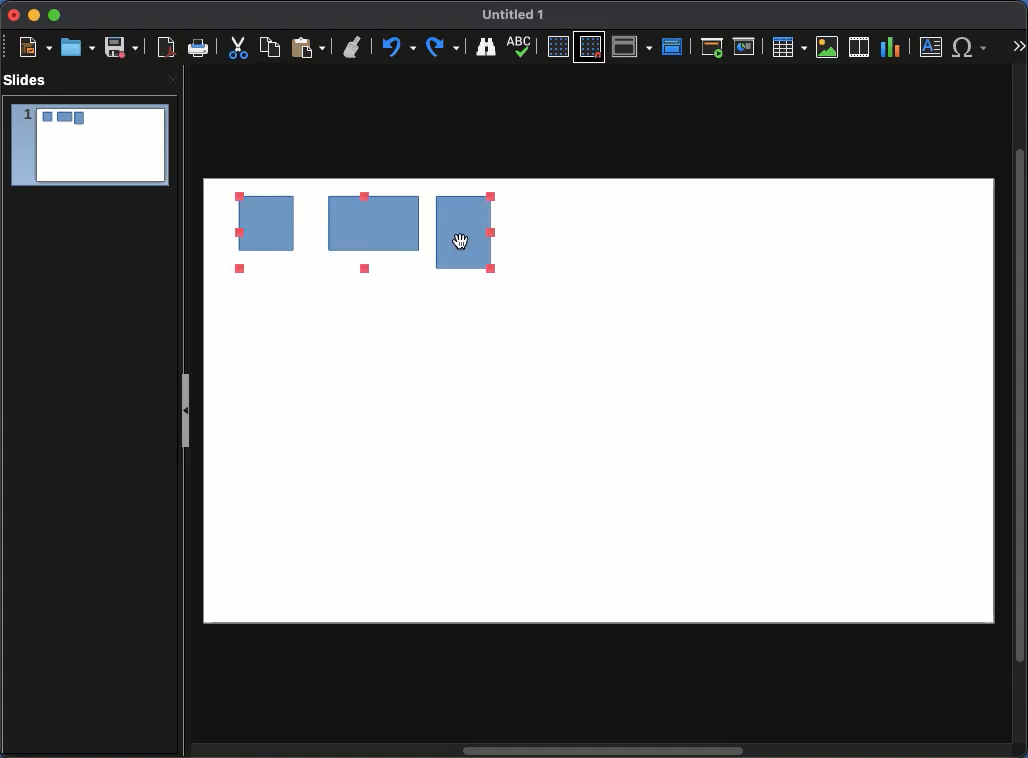  Describe the element at coordinates (354, 48) in the screenshot. I see `Clone formatting` at that location.